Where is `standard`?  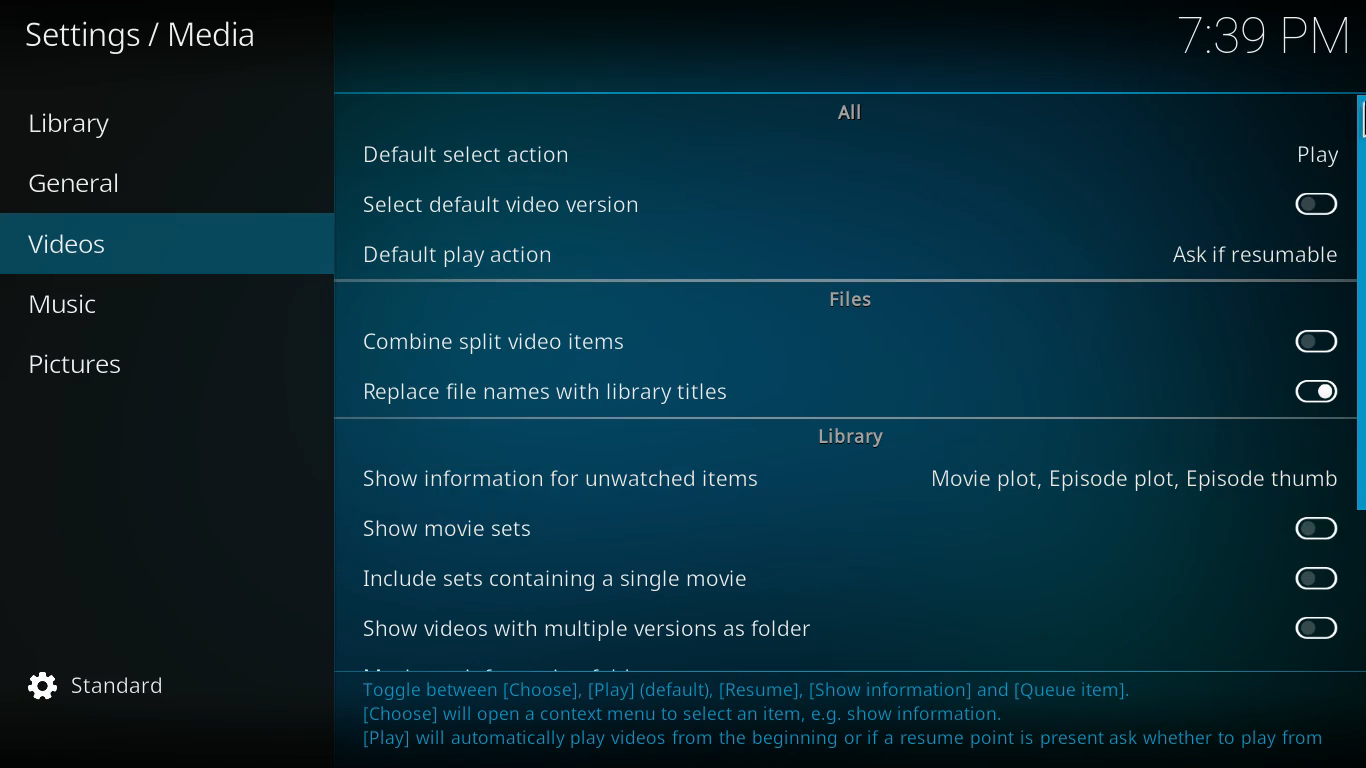
standard is located at coordinates (109, 686).